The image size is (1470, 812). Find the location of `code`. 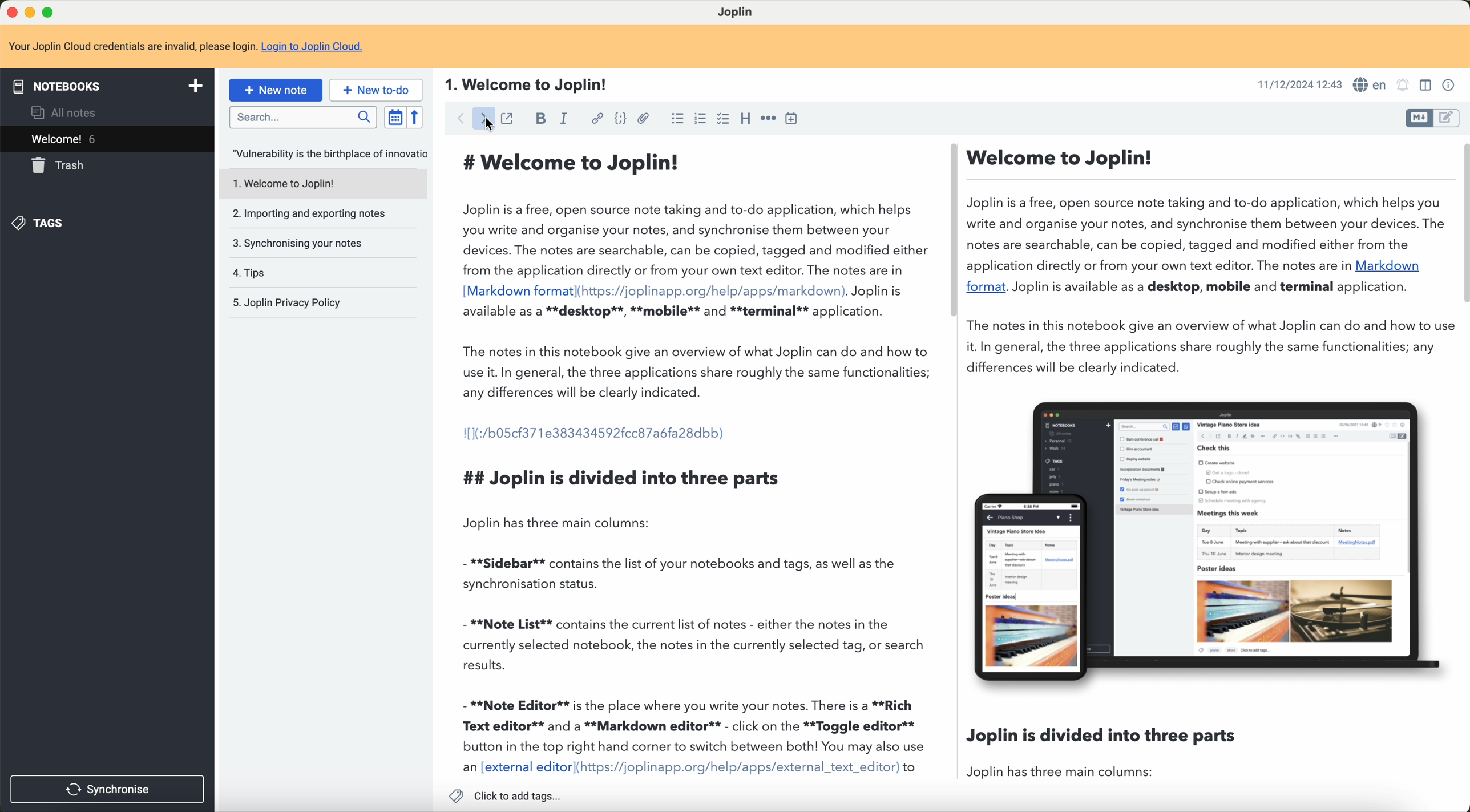

code is located at coordinates (619, 118).